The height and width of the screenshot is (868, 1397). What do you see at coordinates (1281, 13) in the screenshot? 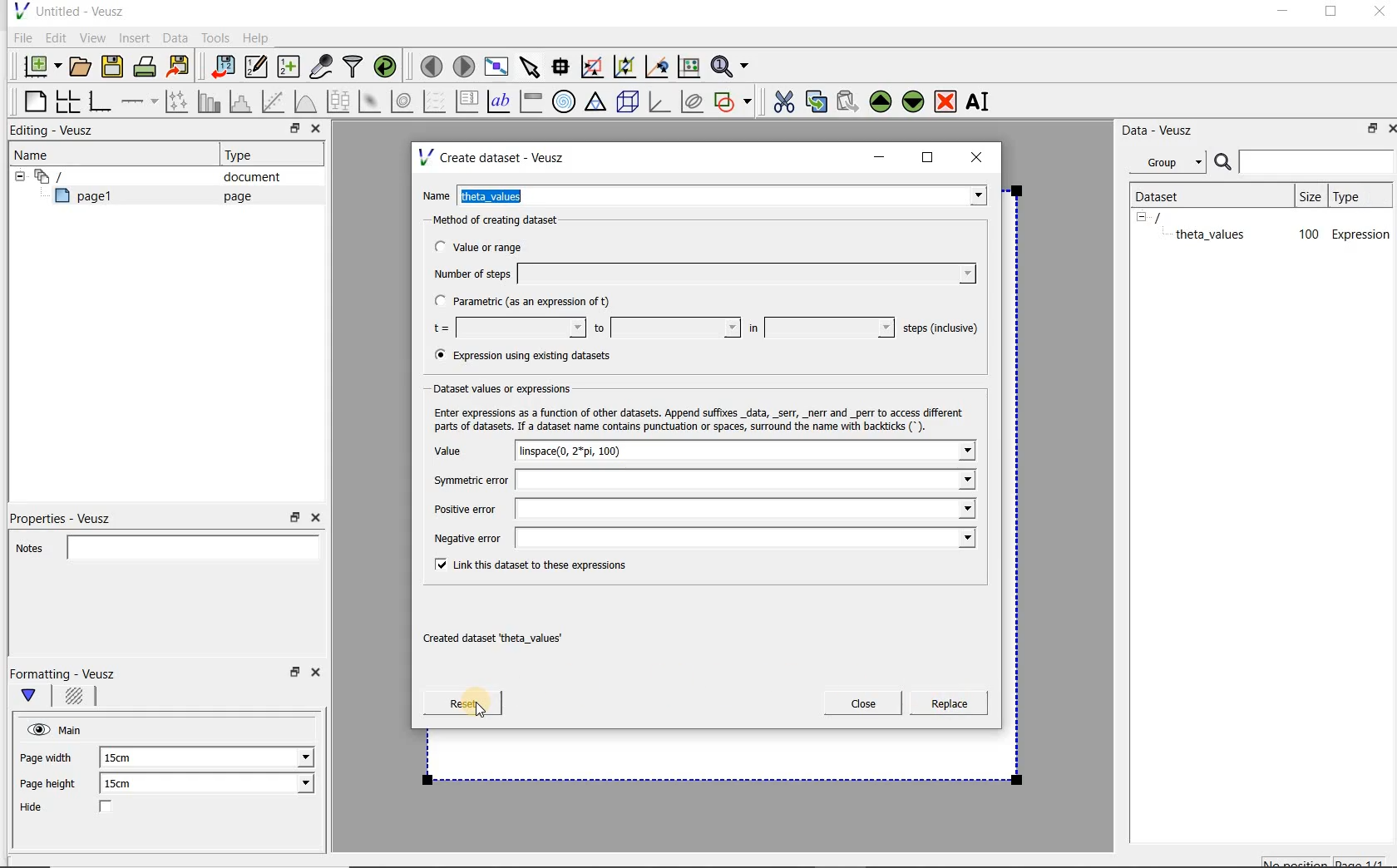
I see `minimize` at bounding box center [1281, 13].